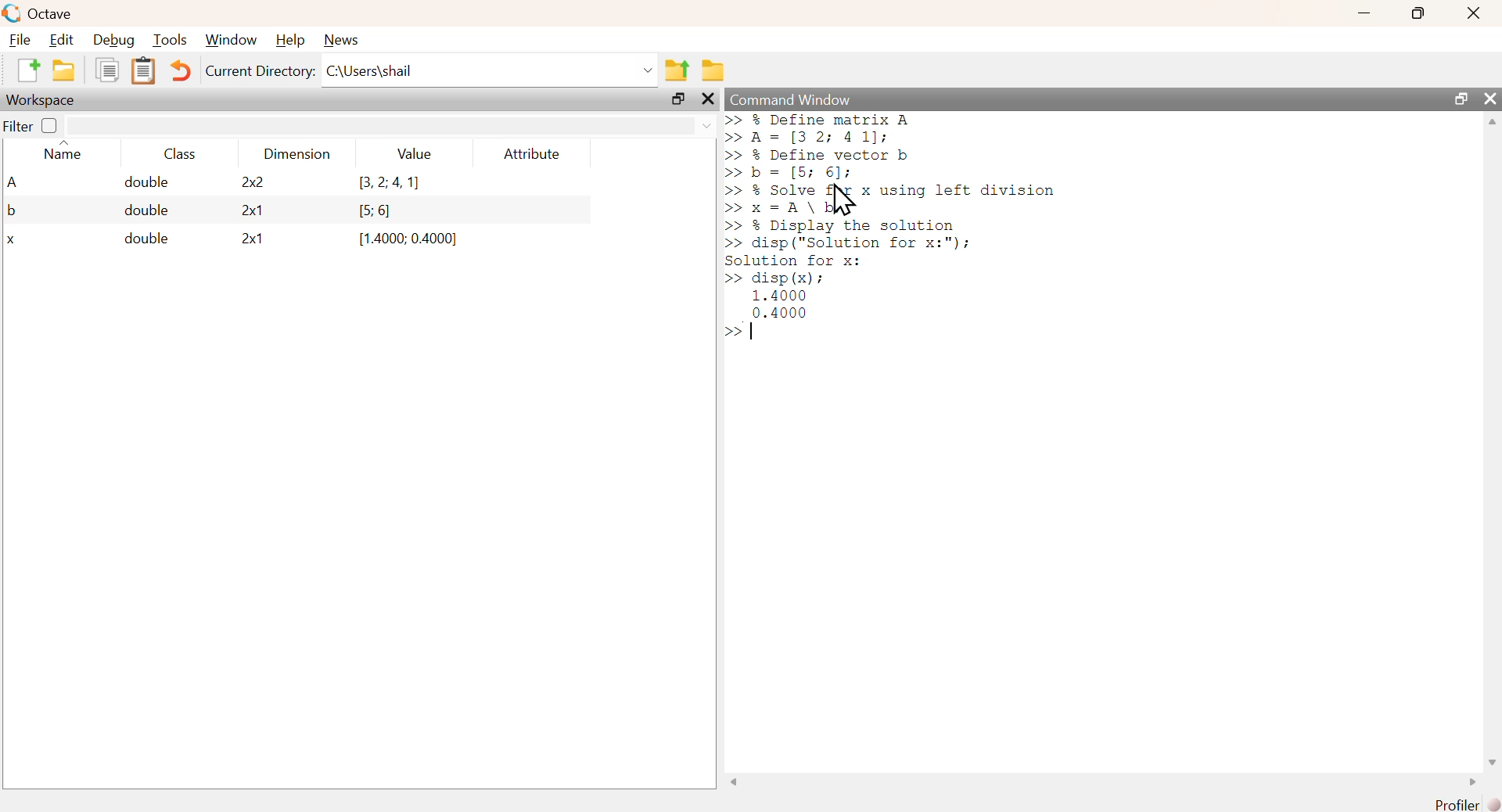 This screenshot has width=1502, height=812. What do you see at coordinates (792, 99) in the screenshot?
I see `command window` at bounding box center [792, 99].